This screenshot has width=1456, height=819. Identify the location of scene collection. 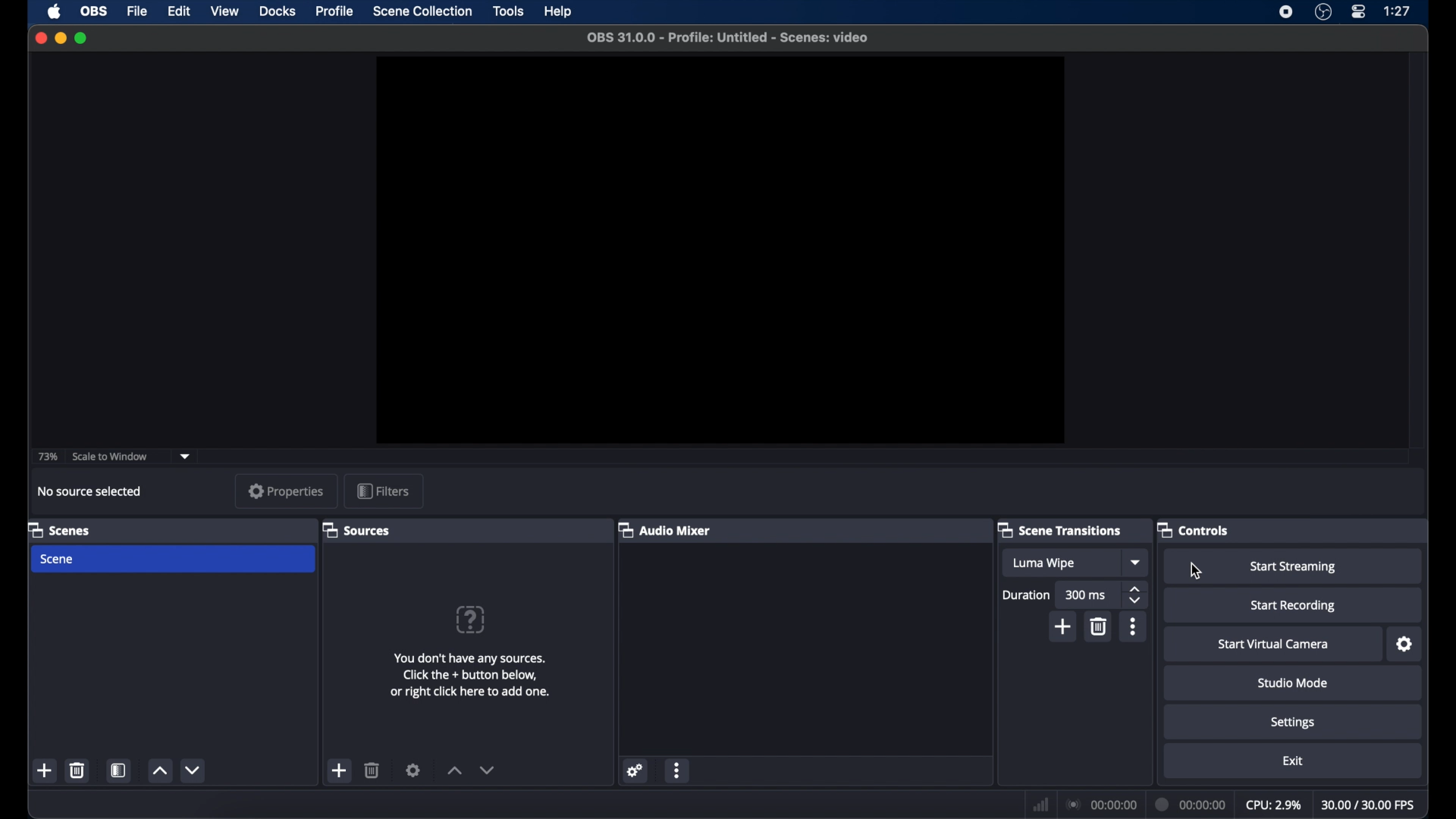
(423, 11).